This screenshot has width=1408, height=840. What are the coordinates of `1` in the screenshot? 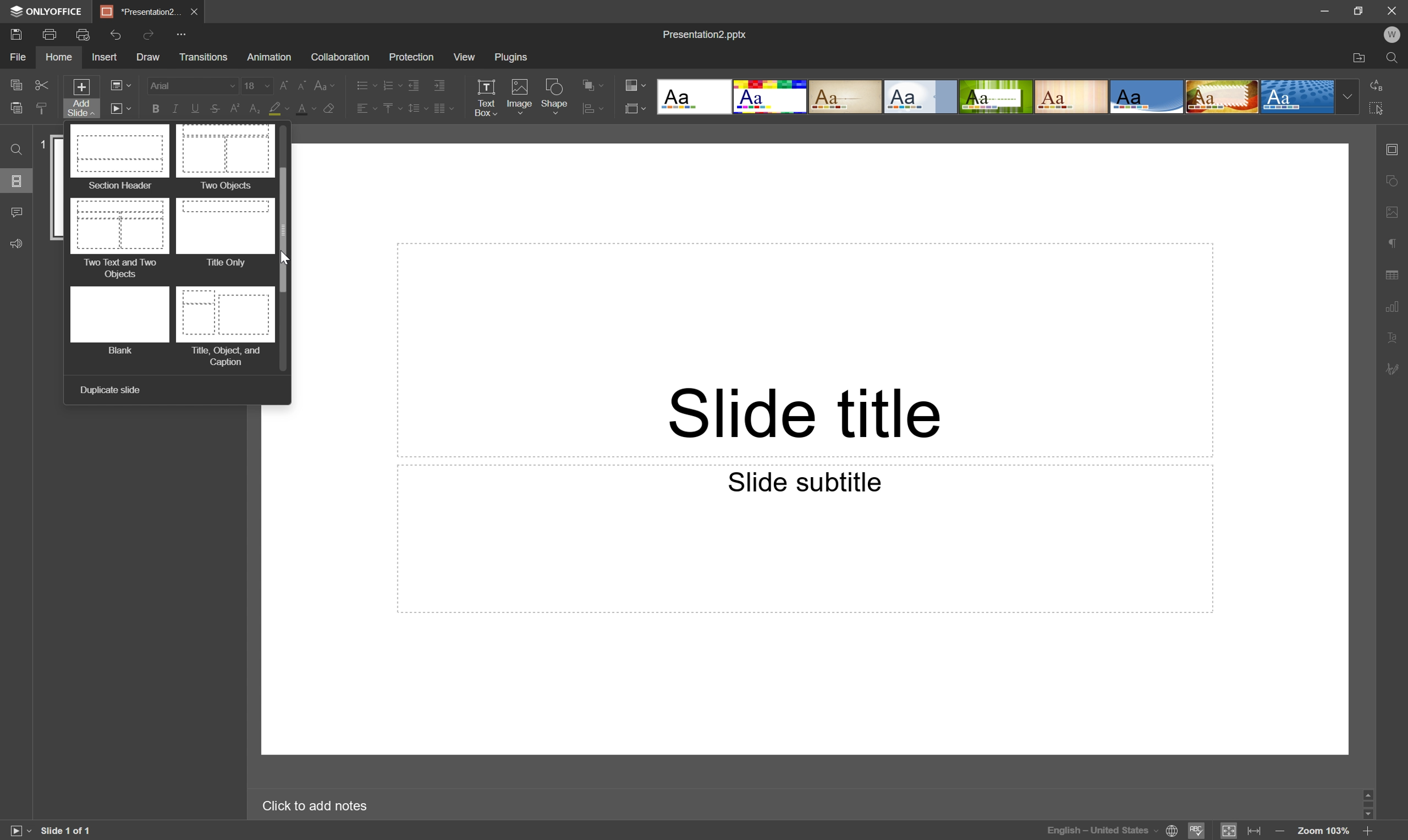 It's located at (43, 144).